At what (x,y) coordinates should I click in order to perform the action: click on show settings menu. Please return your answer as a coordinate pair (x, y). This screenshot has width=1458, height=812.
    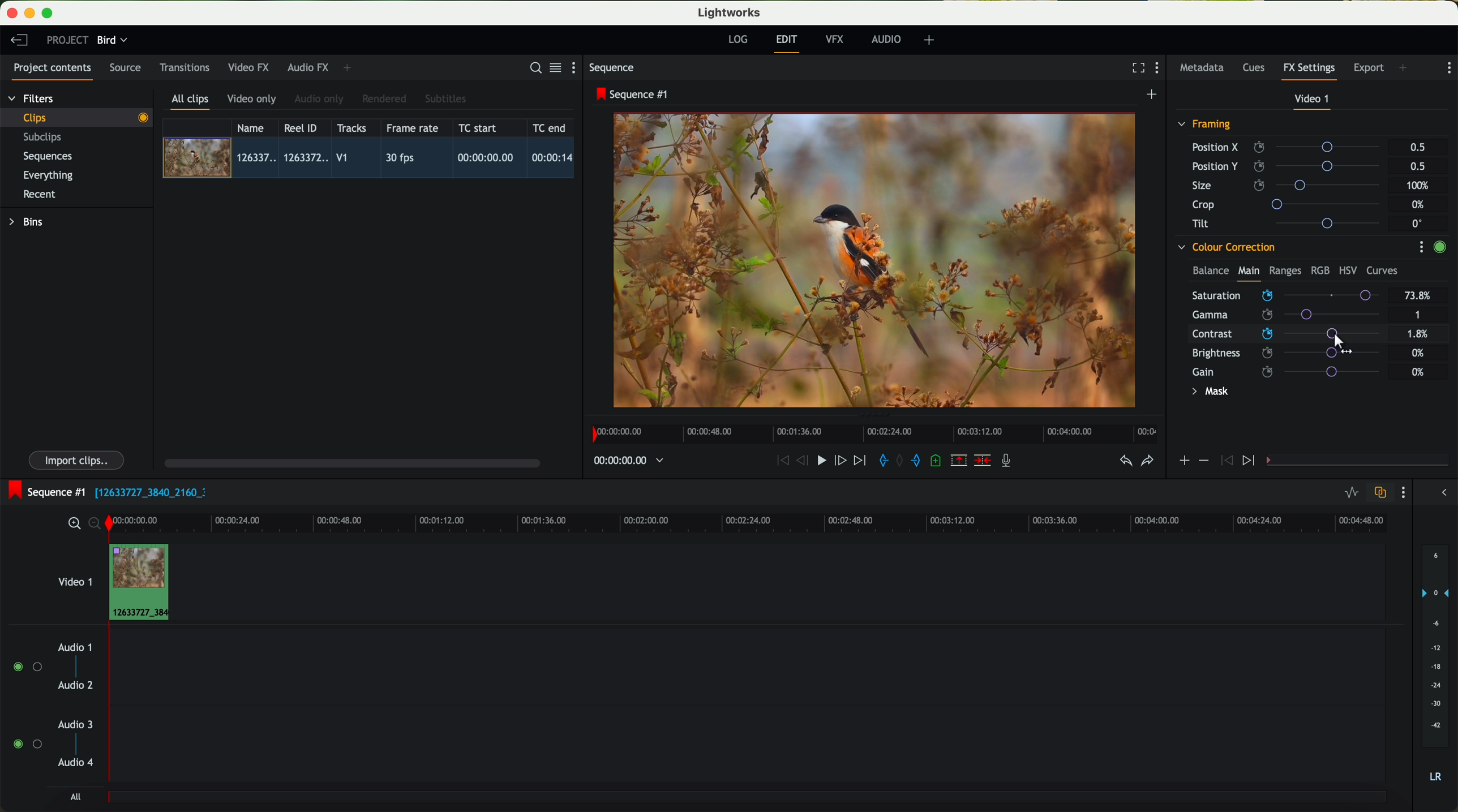
    Looking at the image, I should click on (578, 67).